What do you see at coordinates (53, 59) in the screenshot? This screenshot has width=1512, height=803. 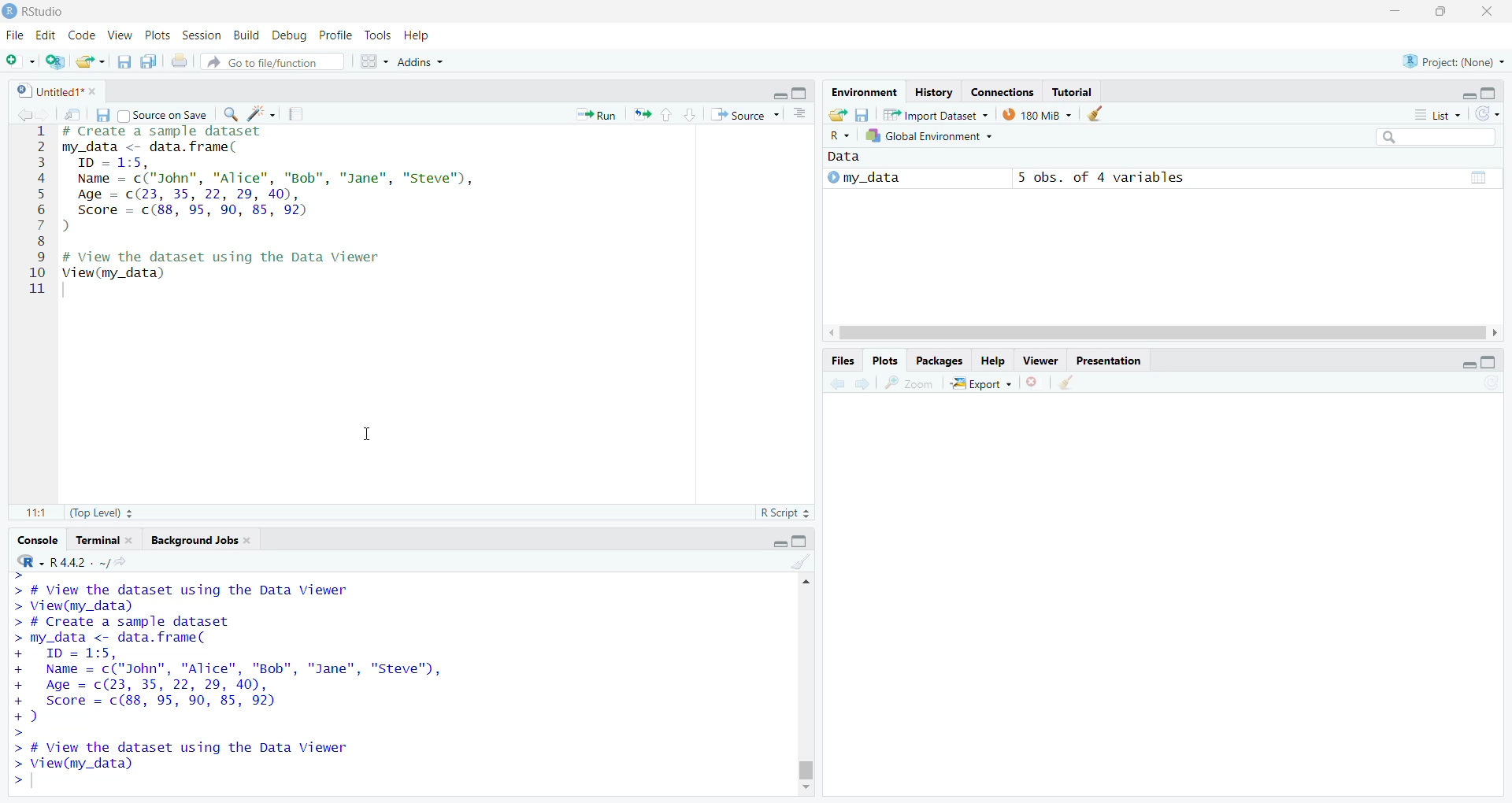 I see `Create a Project` at bounding box center [53, 59].